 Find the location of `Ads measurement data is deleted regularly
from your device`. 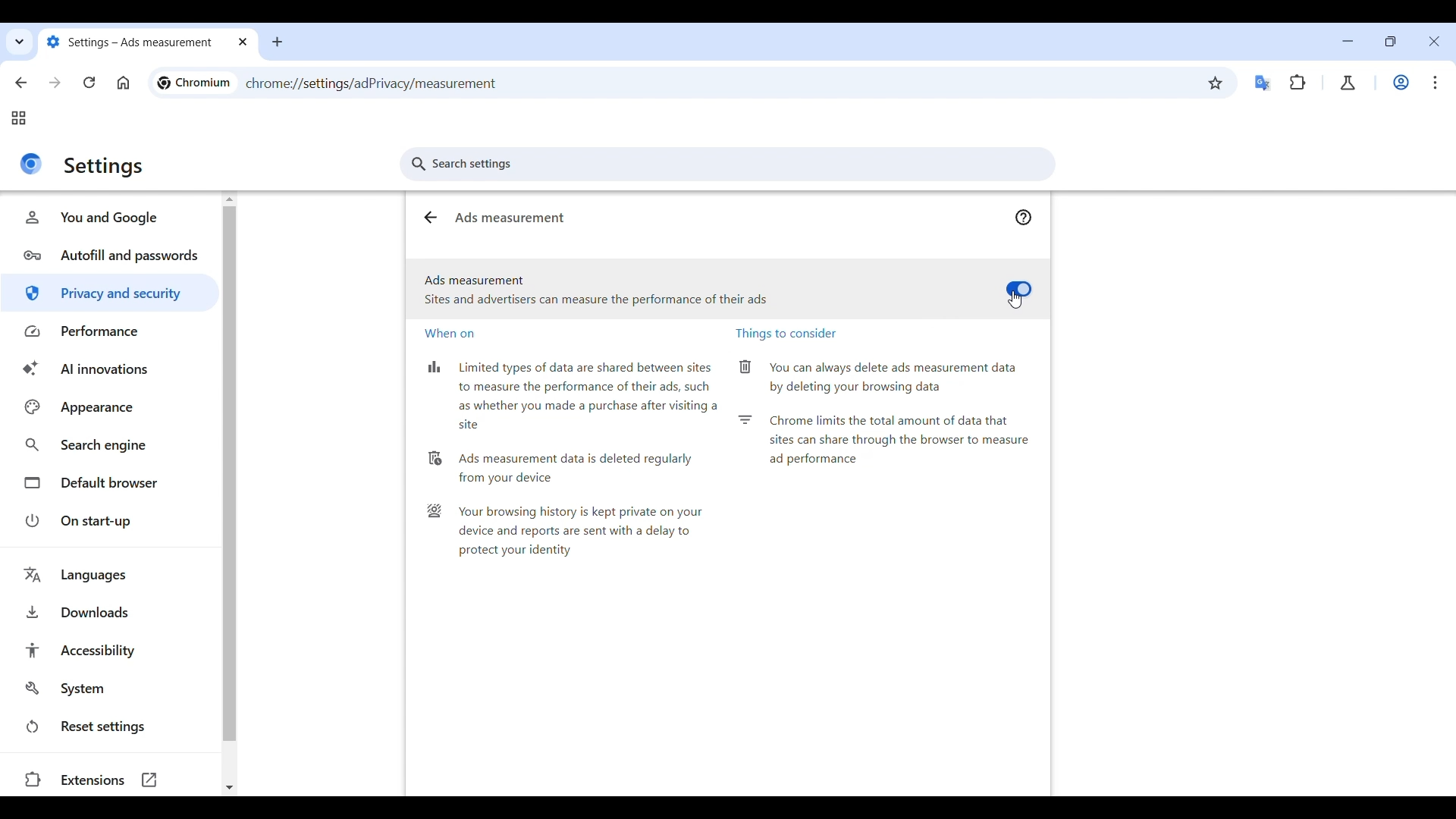

Ads measurement data is deleted regularly
from your device is located at coordinates (564, 467).